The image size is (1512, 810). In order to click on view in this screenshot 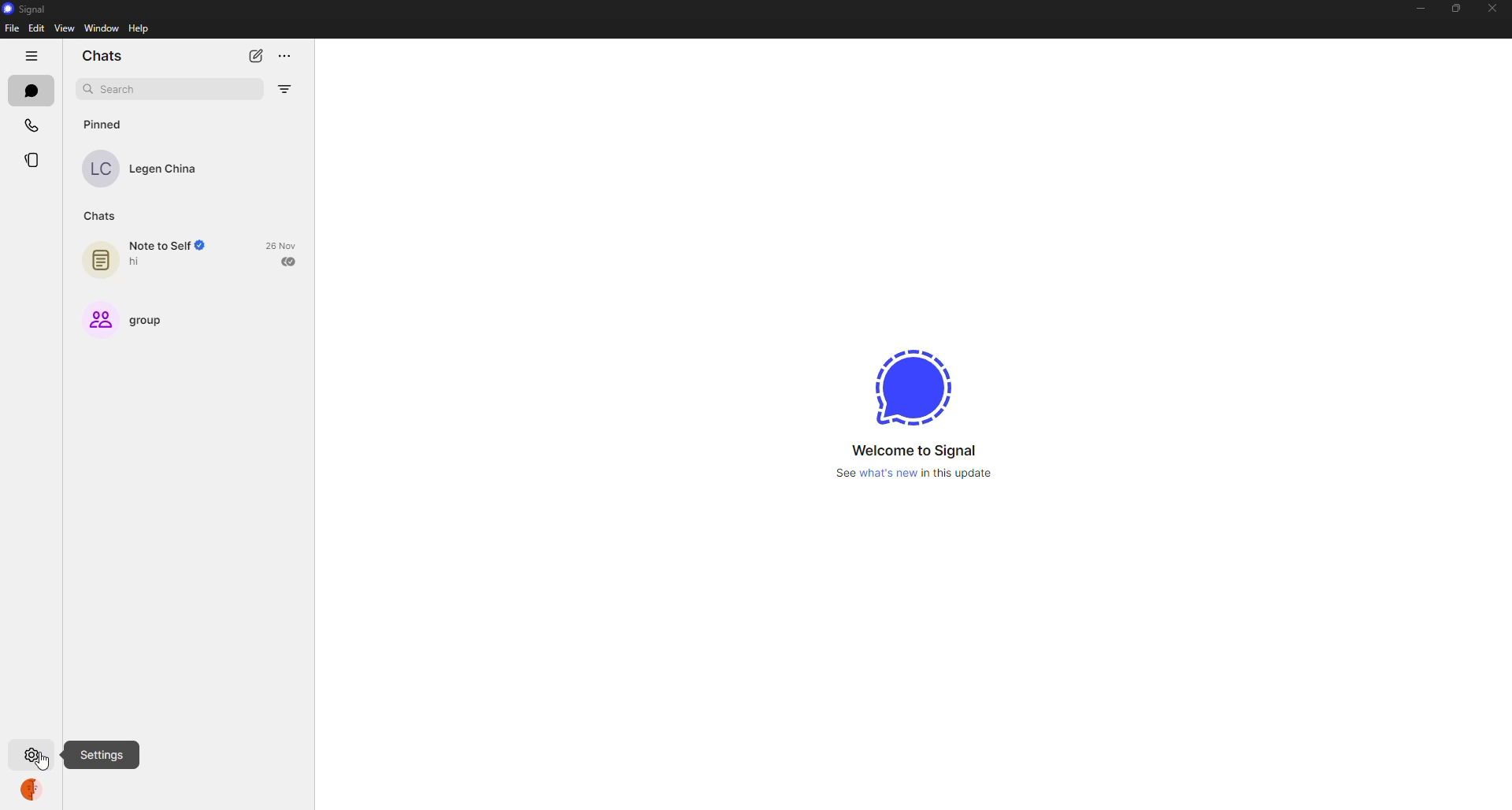, I will do `click(66, 30)`.